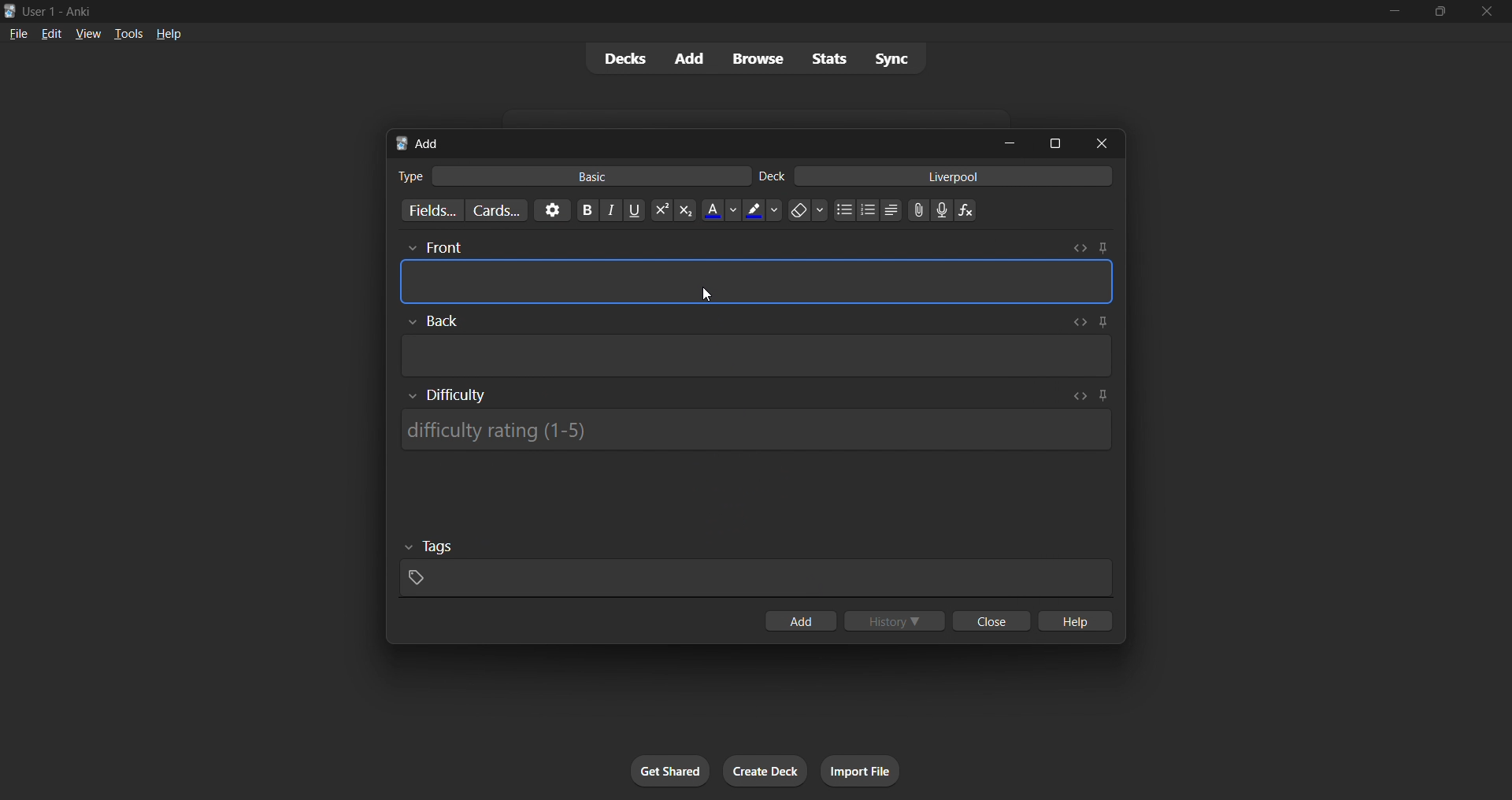 The height and width of the screenshot is (800, 1512). Describe the element at coordinates (1054, 143) in the screenshot. I see `maximize` at that location.